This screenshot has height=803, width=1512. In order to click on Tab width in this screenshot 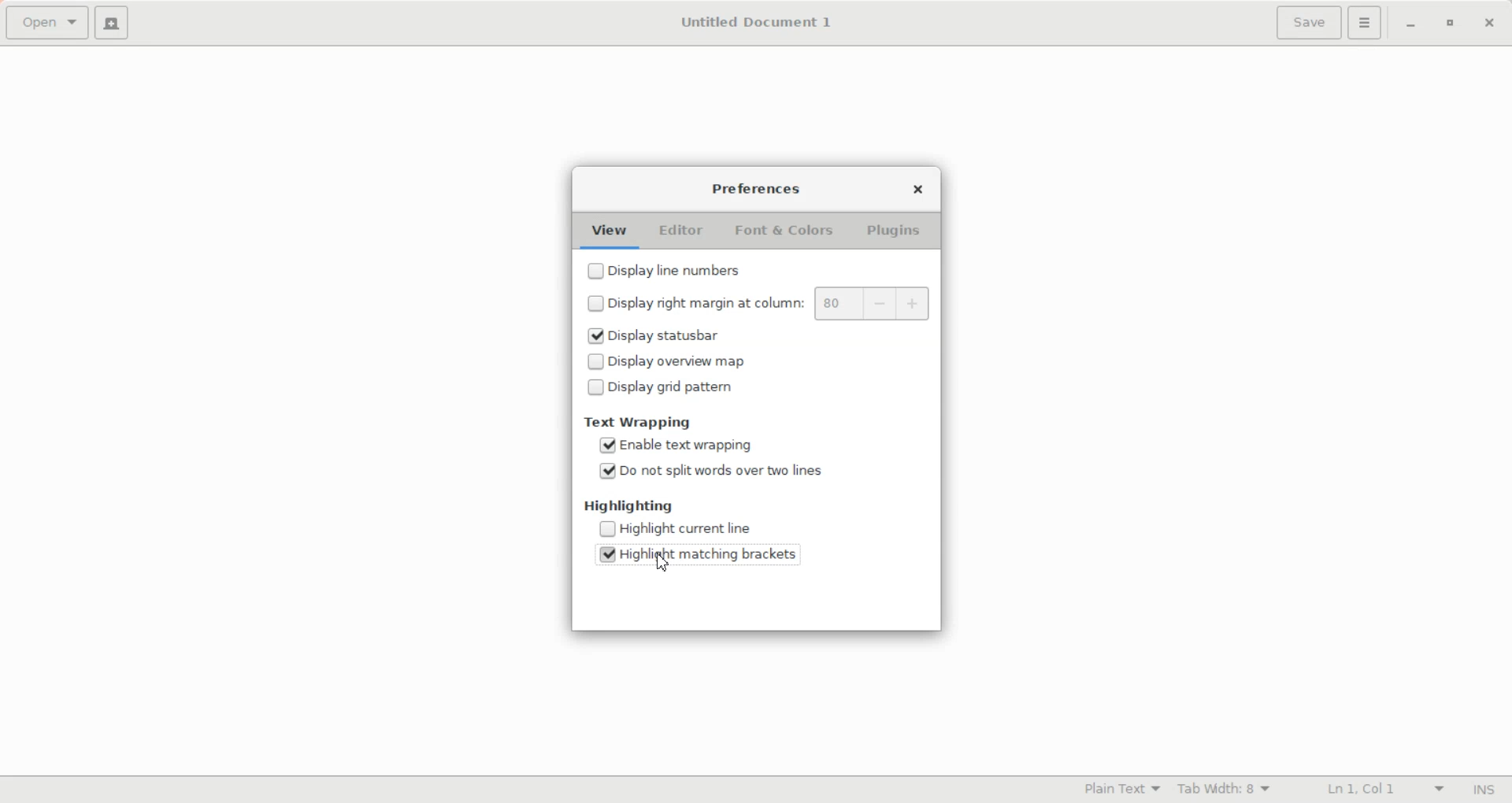, I will do `click(1225, 789)`.